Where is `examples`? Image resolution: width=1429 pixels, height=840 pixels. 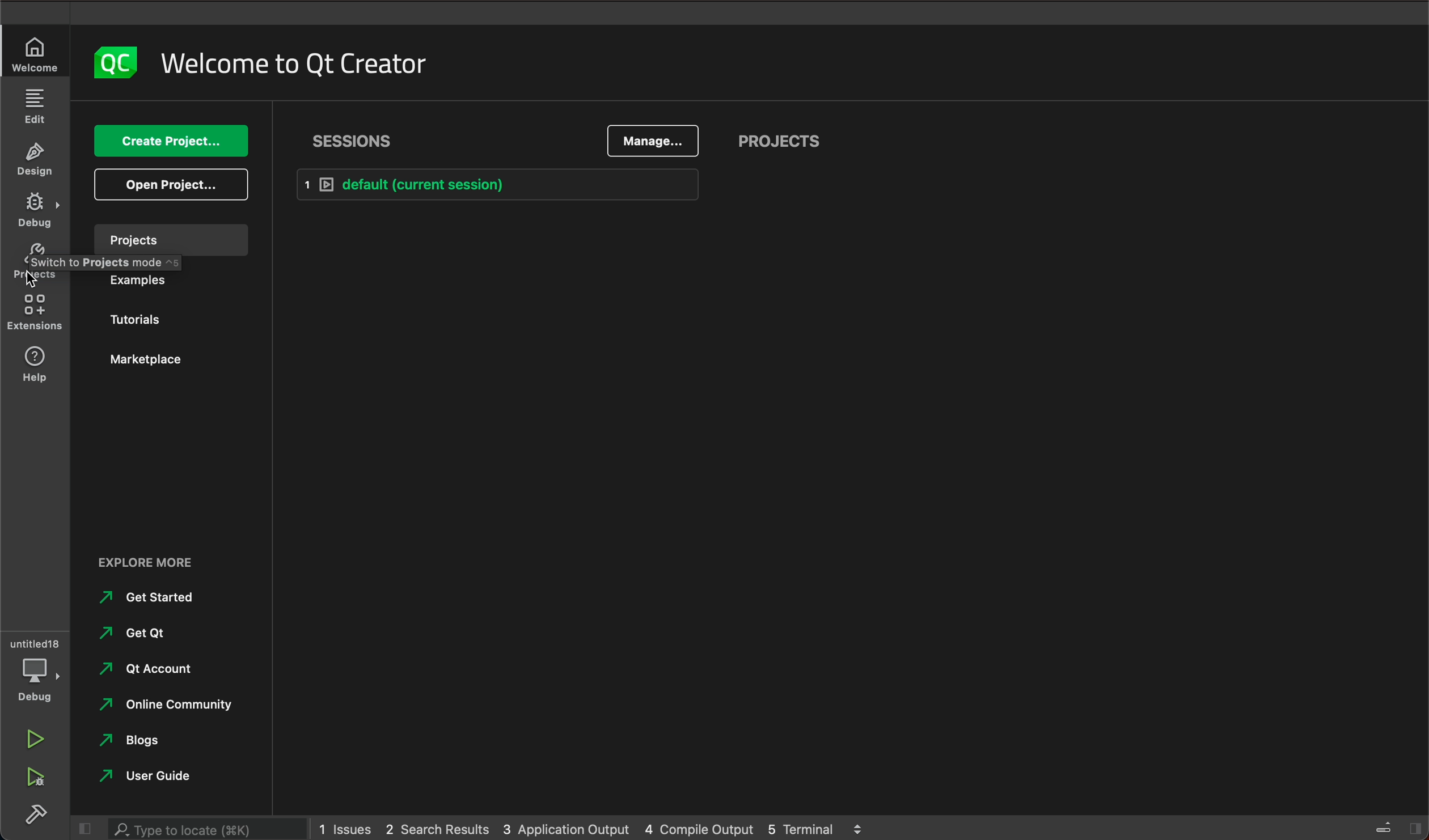
examples is located at coordinates (143, 282).